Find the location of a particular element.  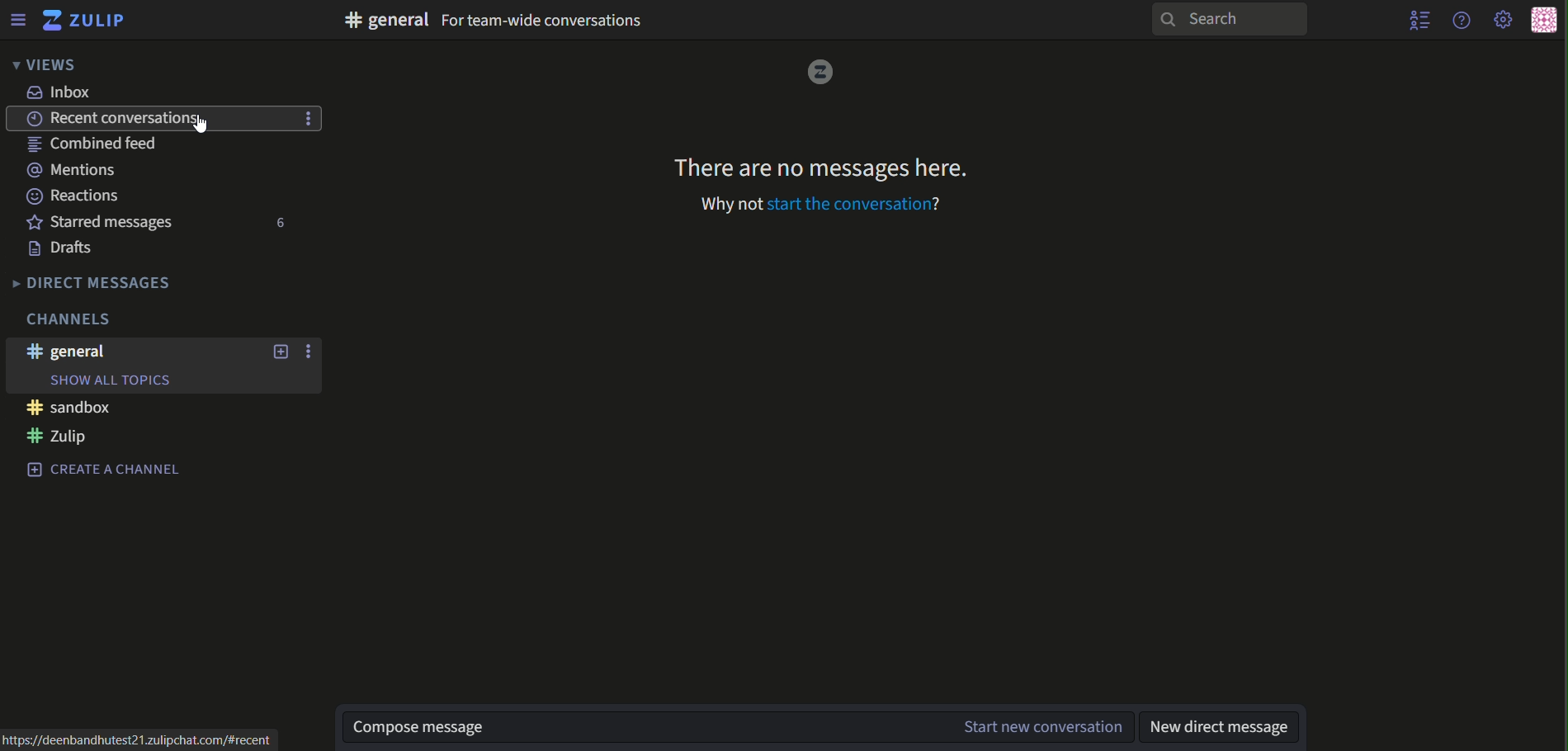

new is located at coordinates (276, 353).